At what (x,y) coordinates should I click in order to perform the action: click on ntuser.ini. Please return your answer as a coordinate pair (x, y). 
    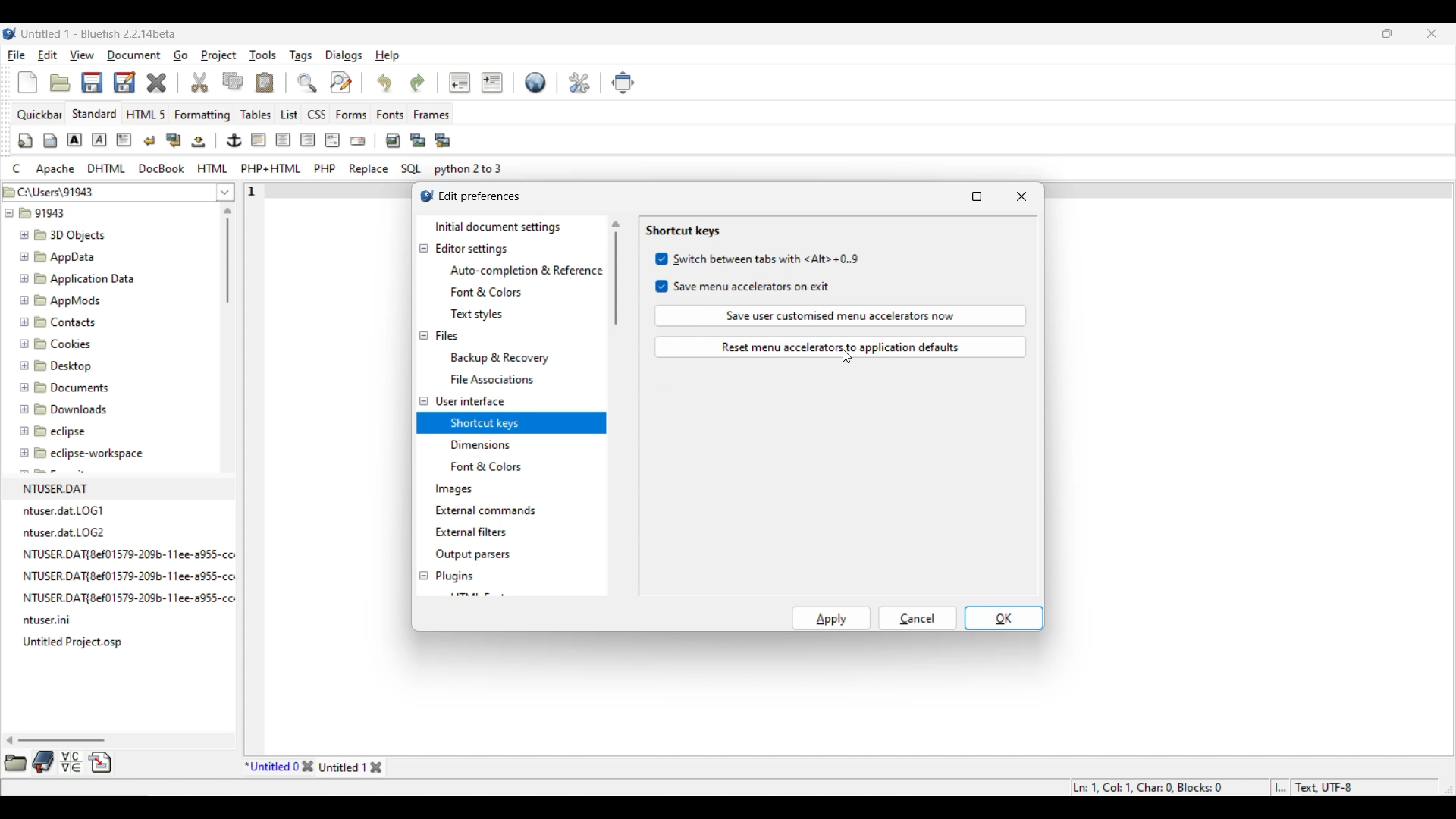
    Looking at the image, I should click on (52, 622).